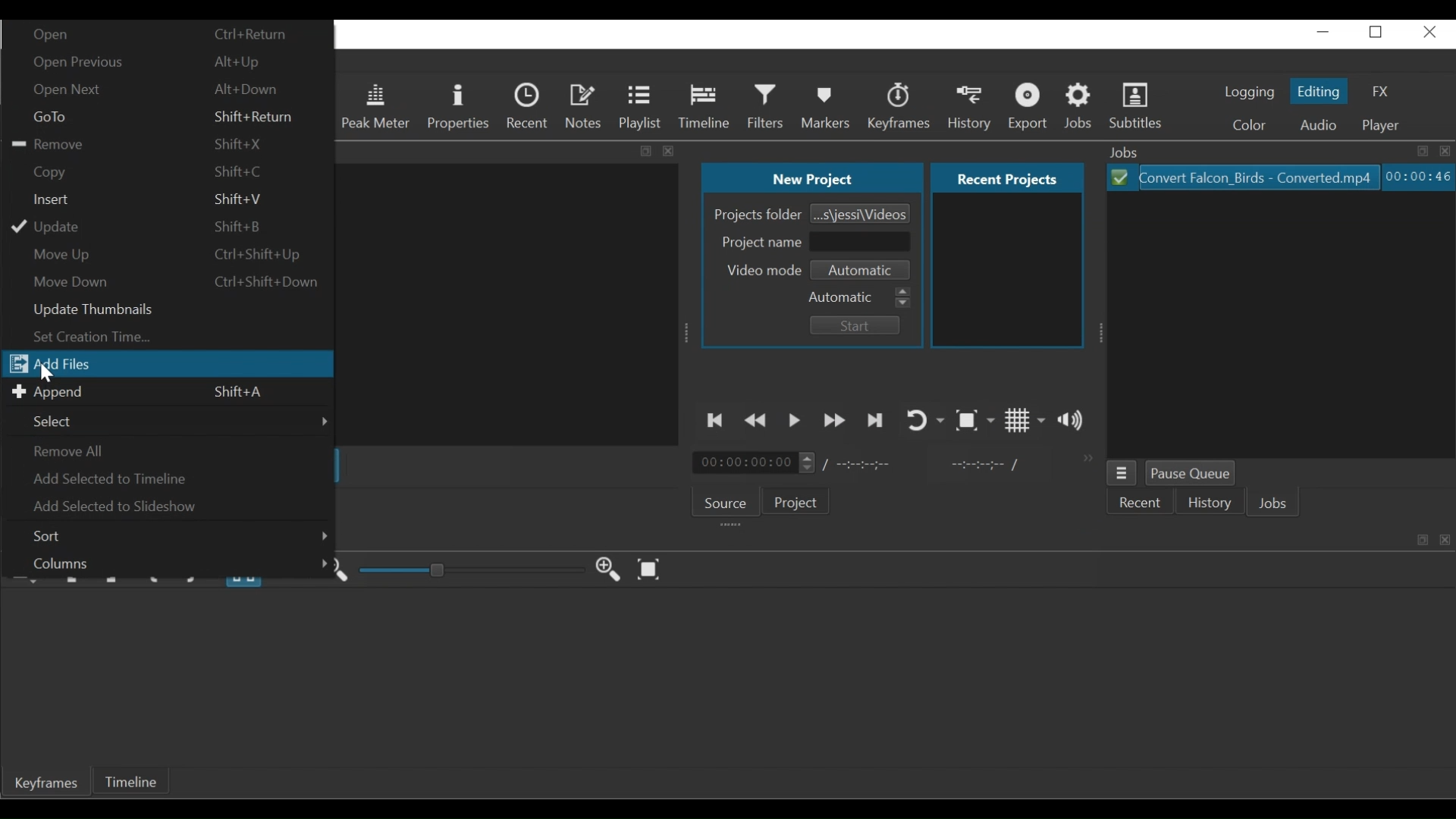 The height and width of the screenshot is (819, 1456). What do you see at coordinates (640, 107) in the screenshot?
I see `Playlist` at bounding box center [640, 107].